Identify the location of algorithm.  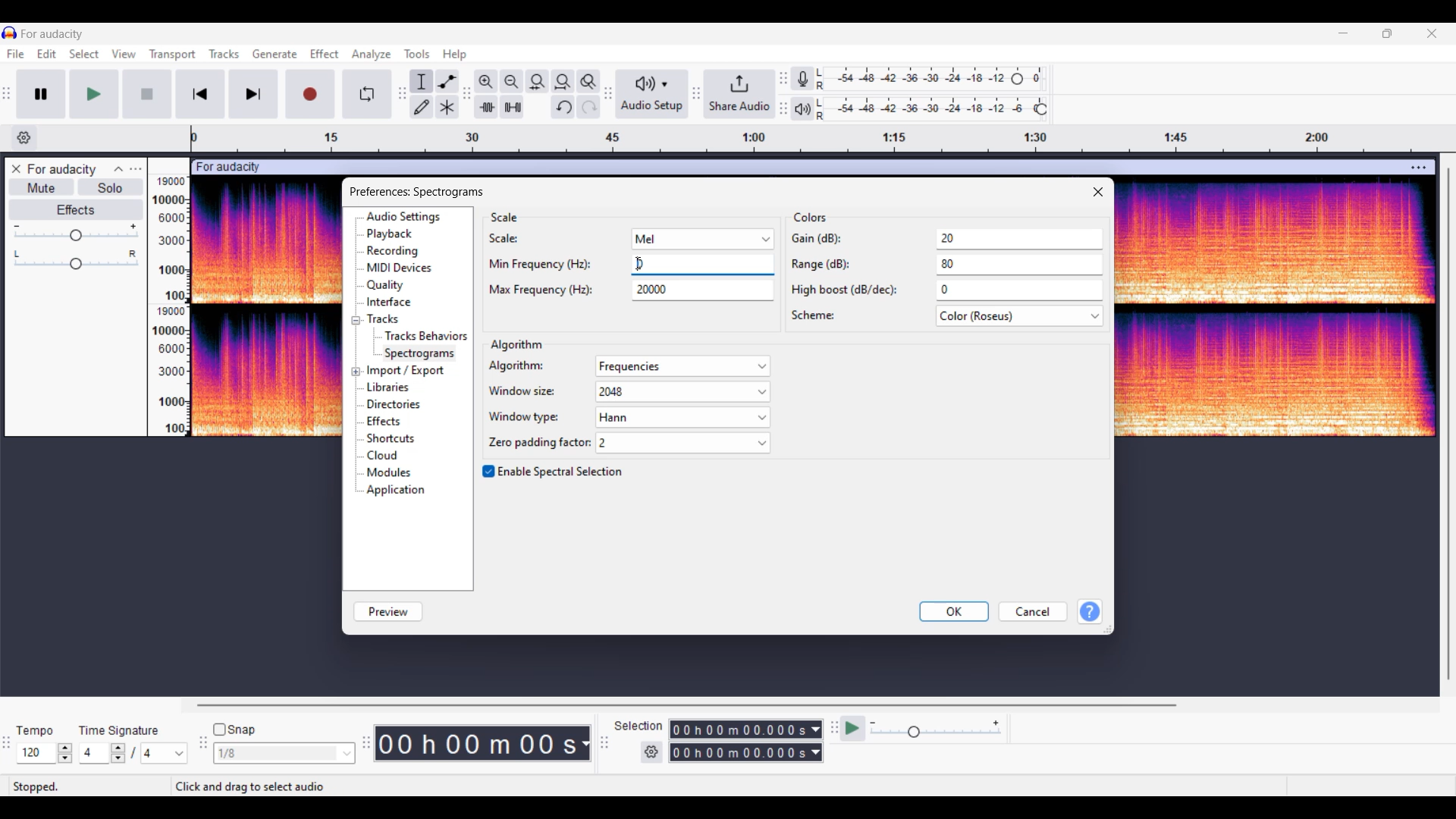
(628, 367).